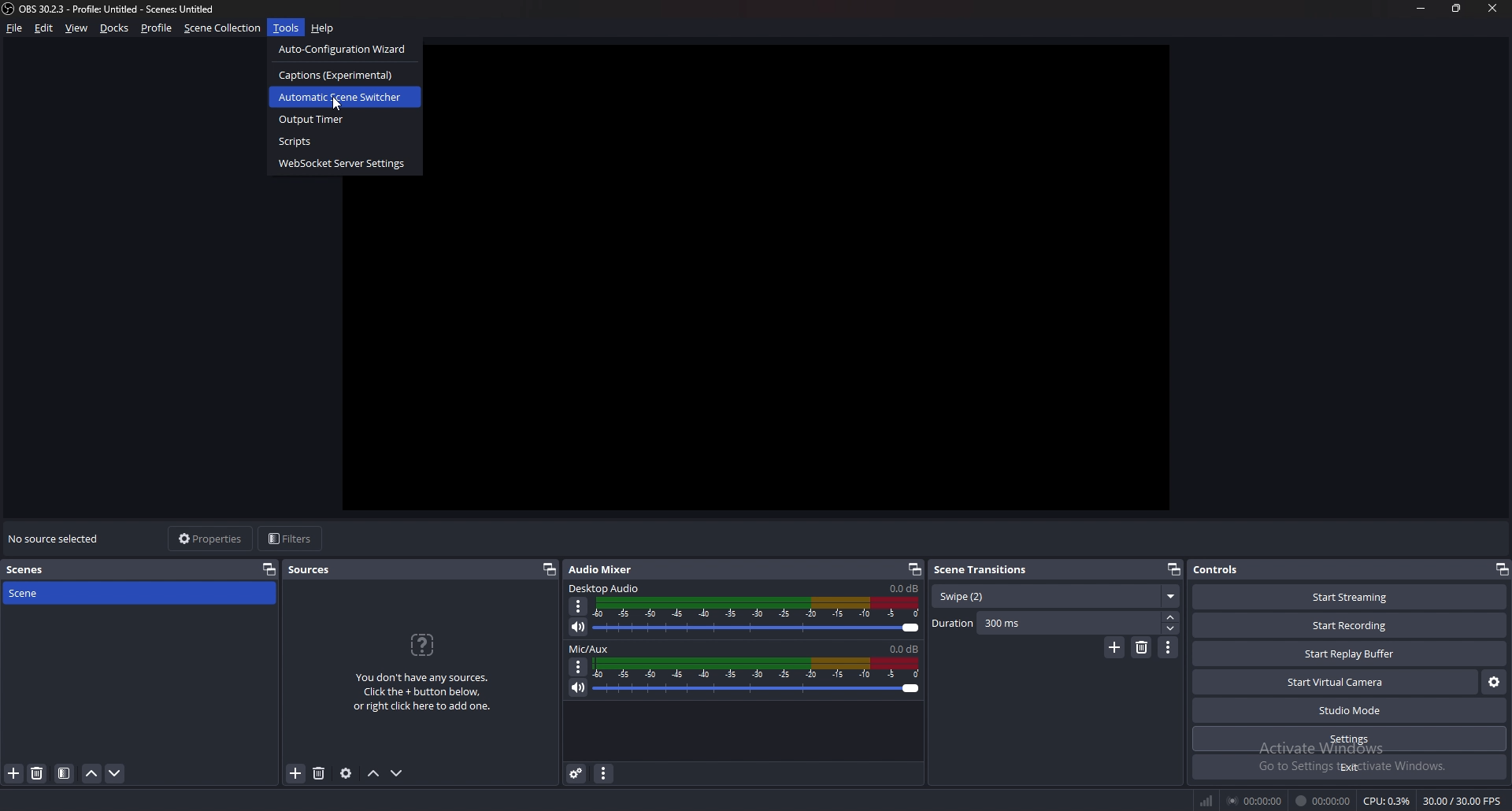 The image size is (1512, 811). I want to click on settings, so click(1351, 739).